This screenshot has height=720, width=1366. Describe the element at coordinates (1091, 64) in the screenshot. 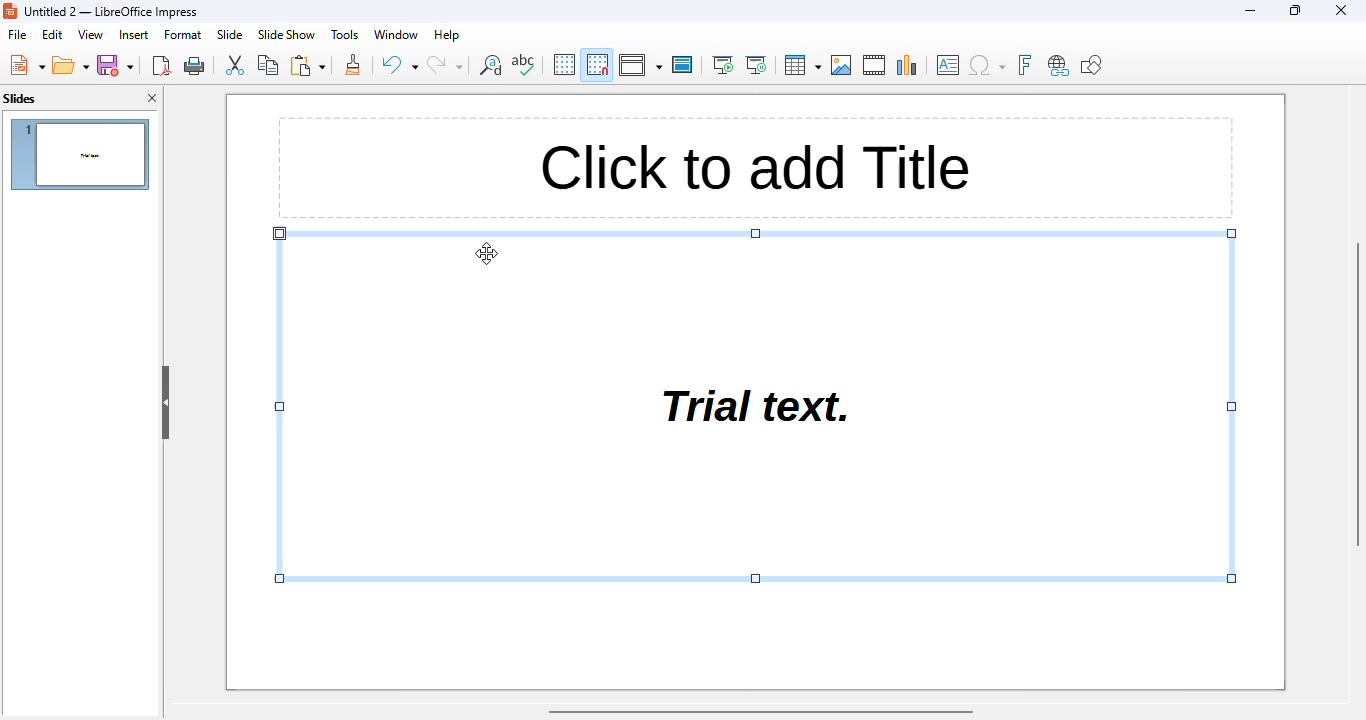

I see `show draw functions` at that location.